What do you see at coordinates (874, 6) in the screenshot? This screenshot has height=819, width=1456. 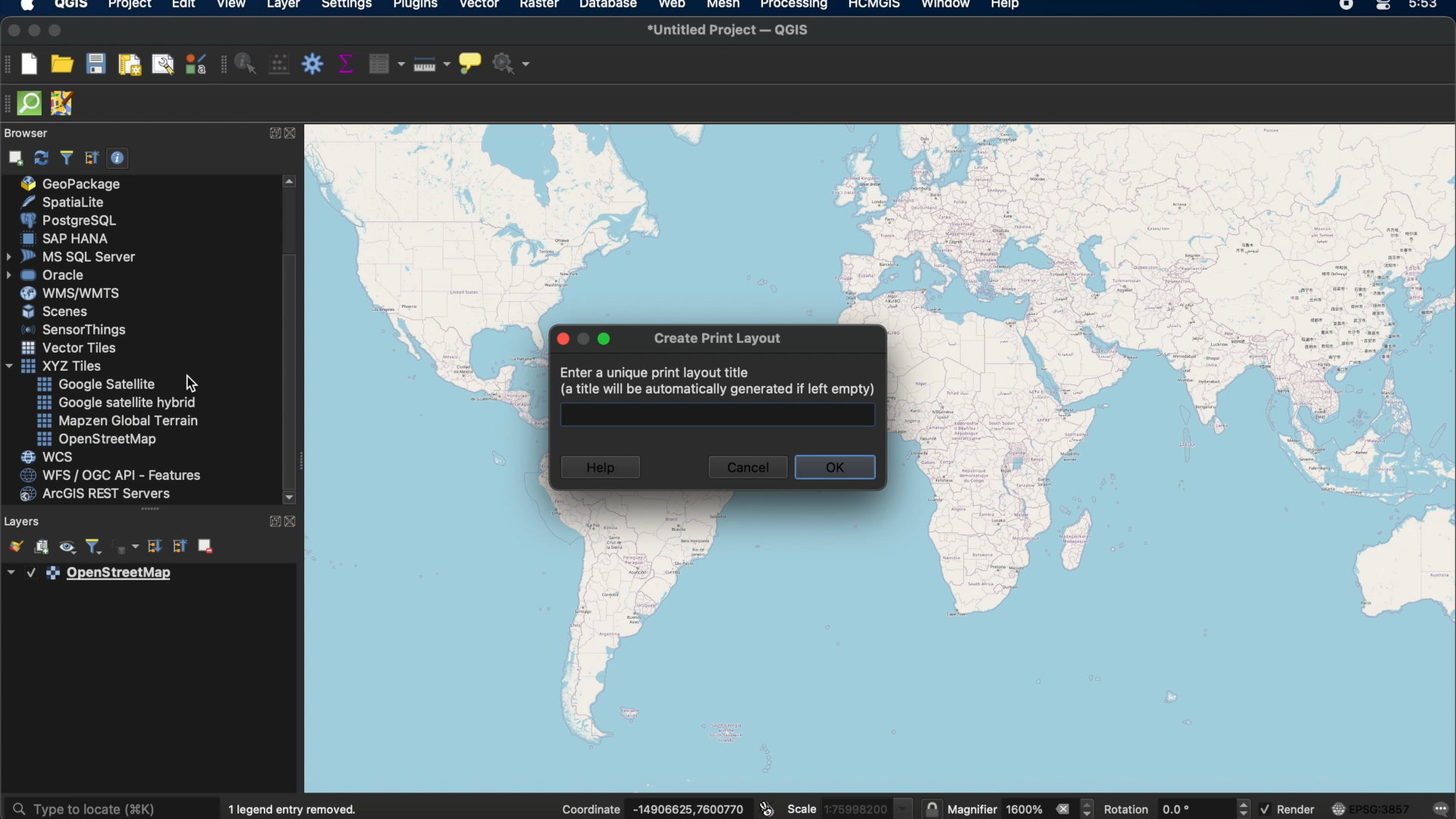 I see `HCMGIS` at bounding box center [874, 6].